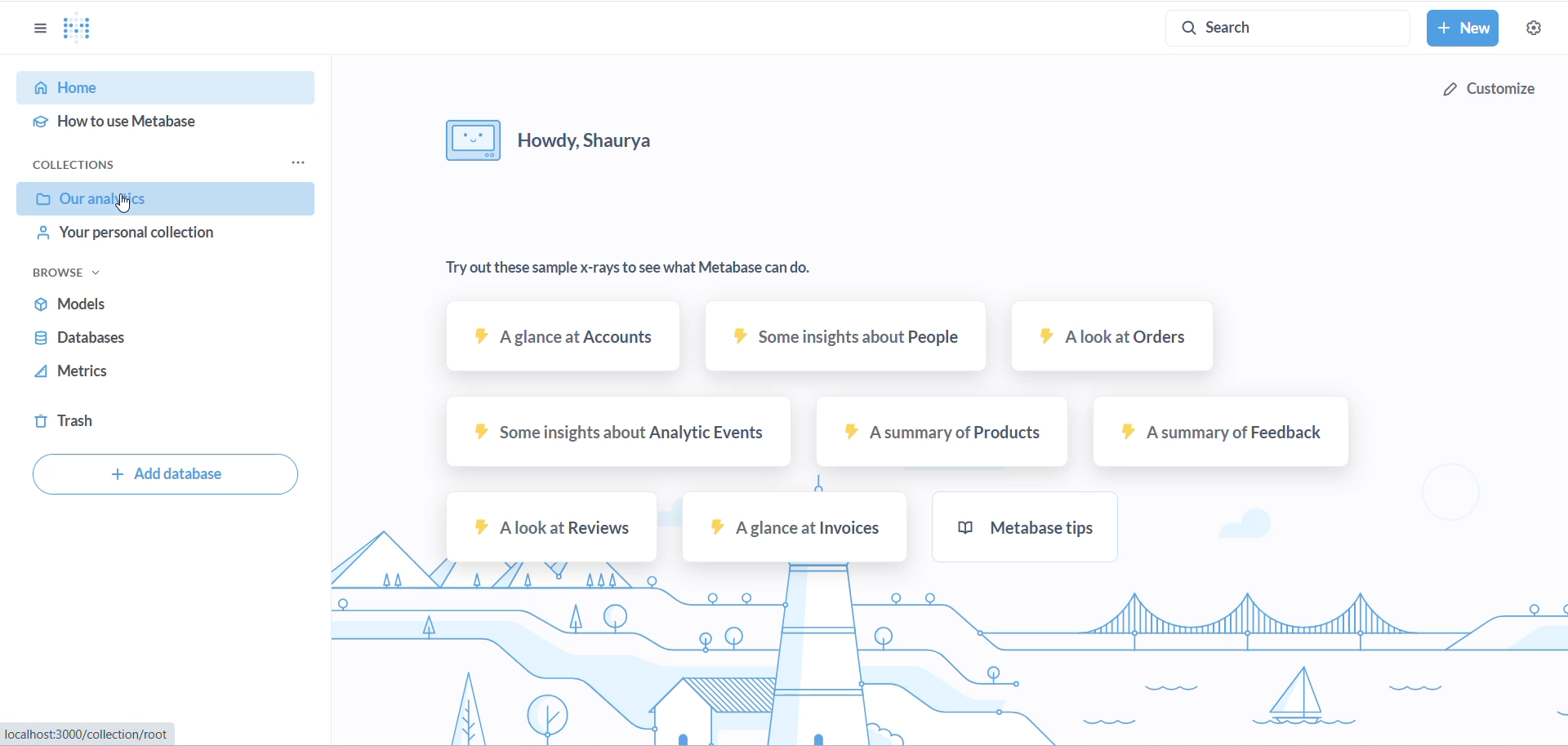  What do you see at coordinates (1540, 29) in the screenshot?
I see `settings` at bounding box center [1540, 29].